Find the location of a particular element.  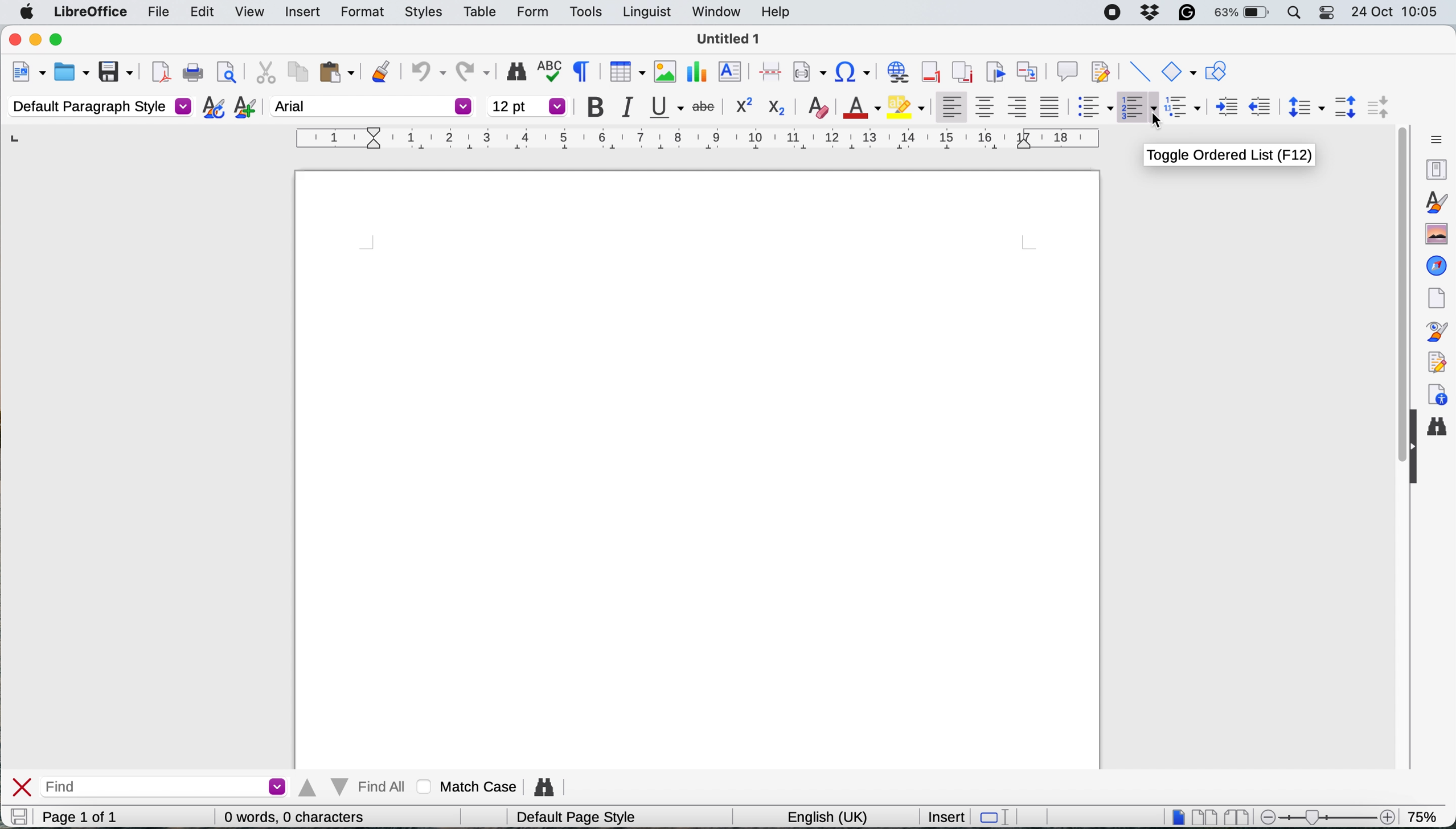

updat selected style is located at coordinates (212, 107).